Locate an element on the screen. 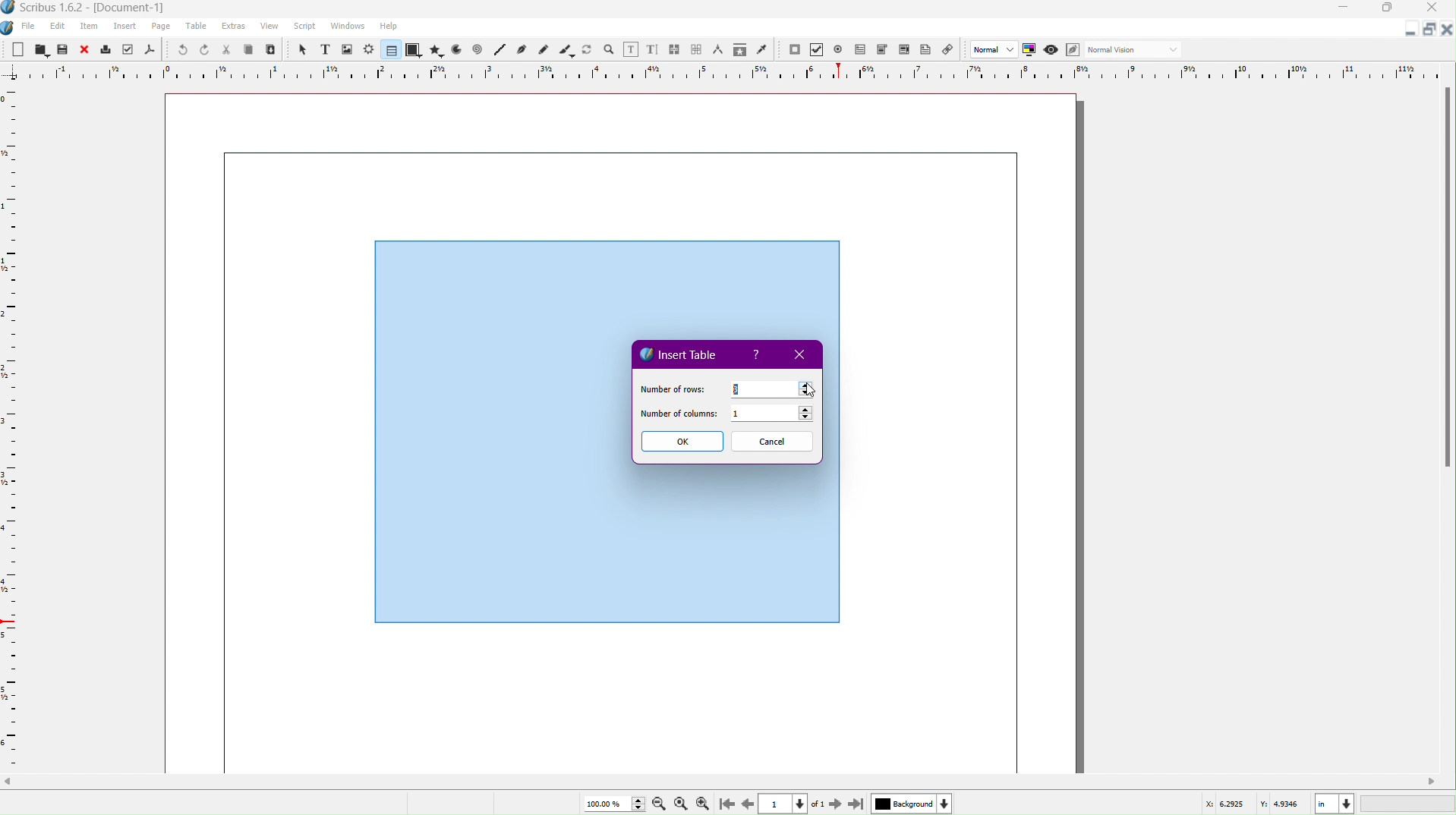  PDF List Box is located at coordinates (903, 52).